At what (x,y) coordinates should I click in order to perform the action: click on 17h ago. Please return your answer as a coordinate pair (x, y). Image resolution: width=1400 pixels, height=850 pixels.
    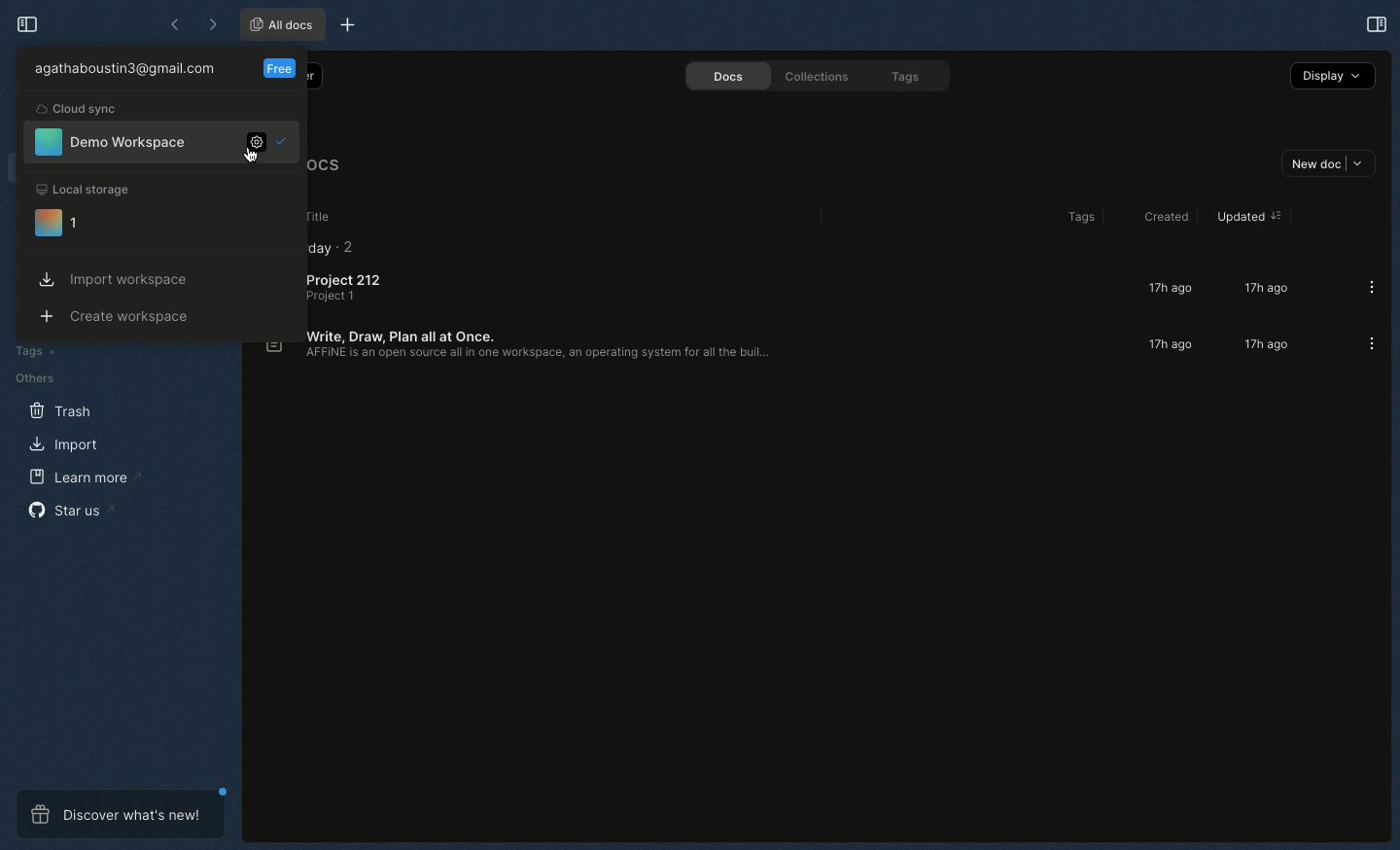
    Looking at the image, I should click on (1262, 290).